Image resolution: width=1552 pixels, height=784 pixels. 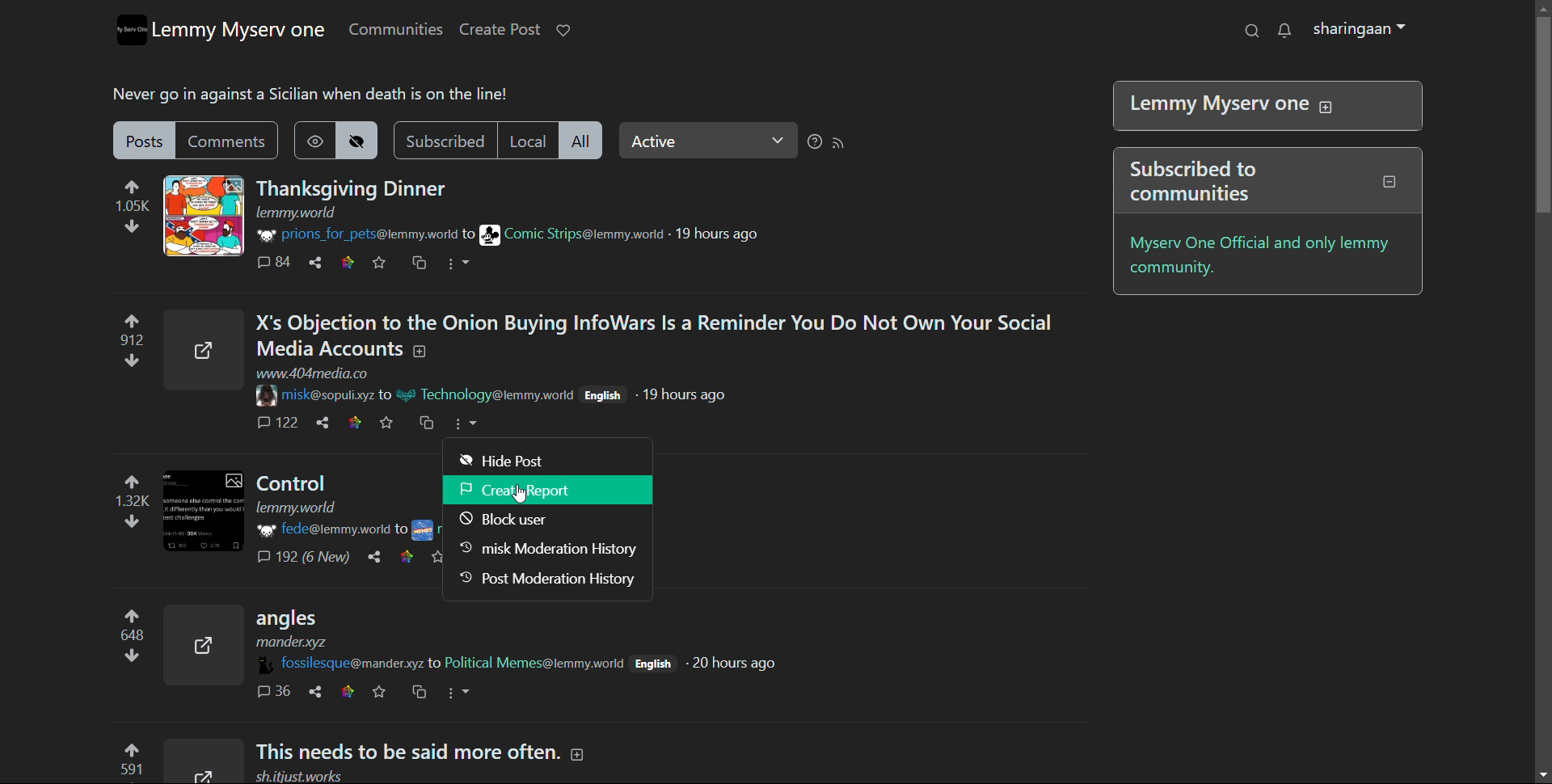 What do you see at coordinates (373, 558) in the screenshot?
I see `share` at bounding box center [373, 558].